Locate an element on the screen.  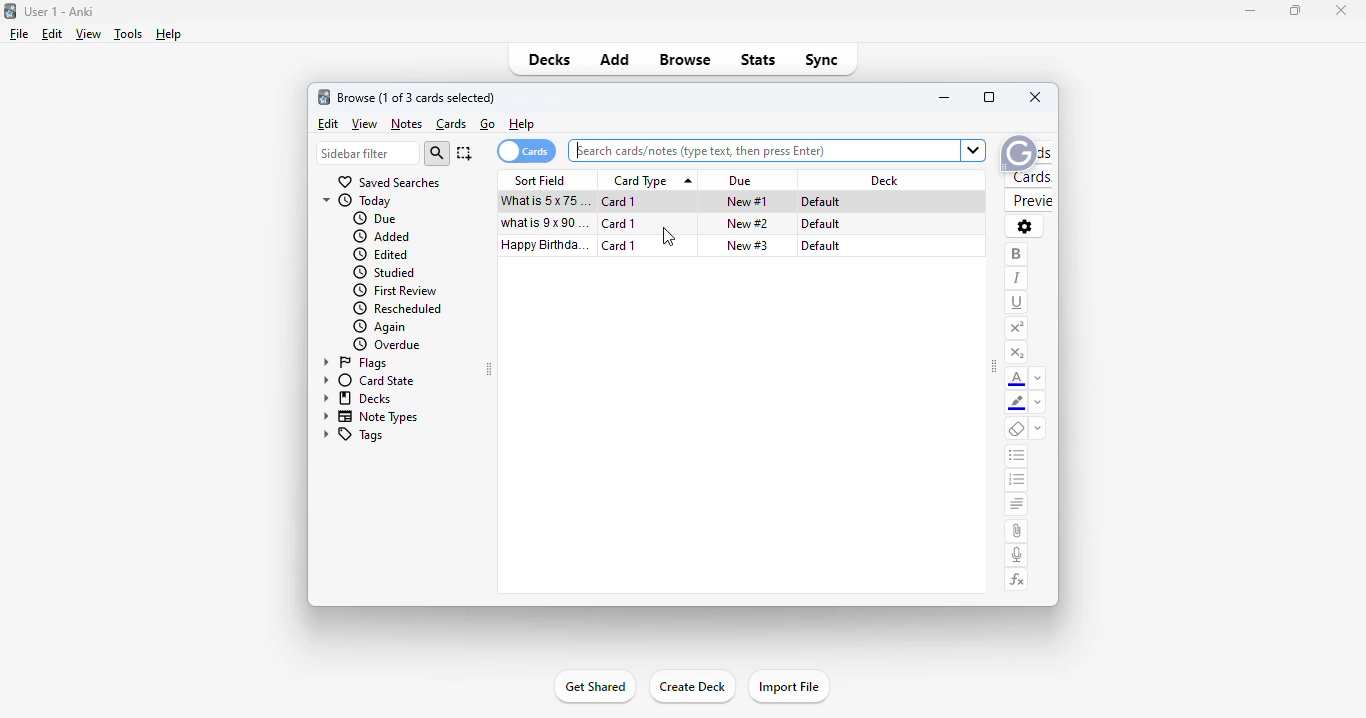
decks is located at coordinates (550, 59).